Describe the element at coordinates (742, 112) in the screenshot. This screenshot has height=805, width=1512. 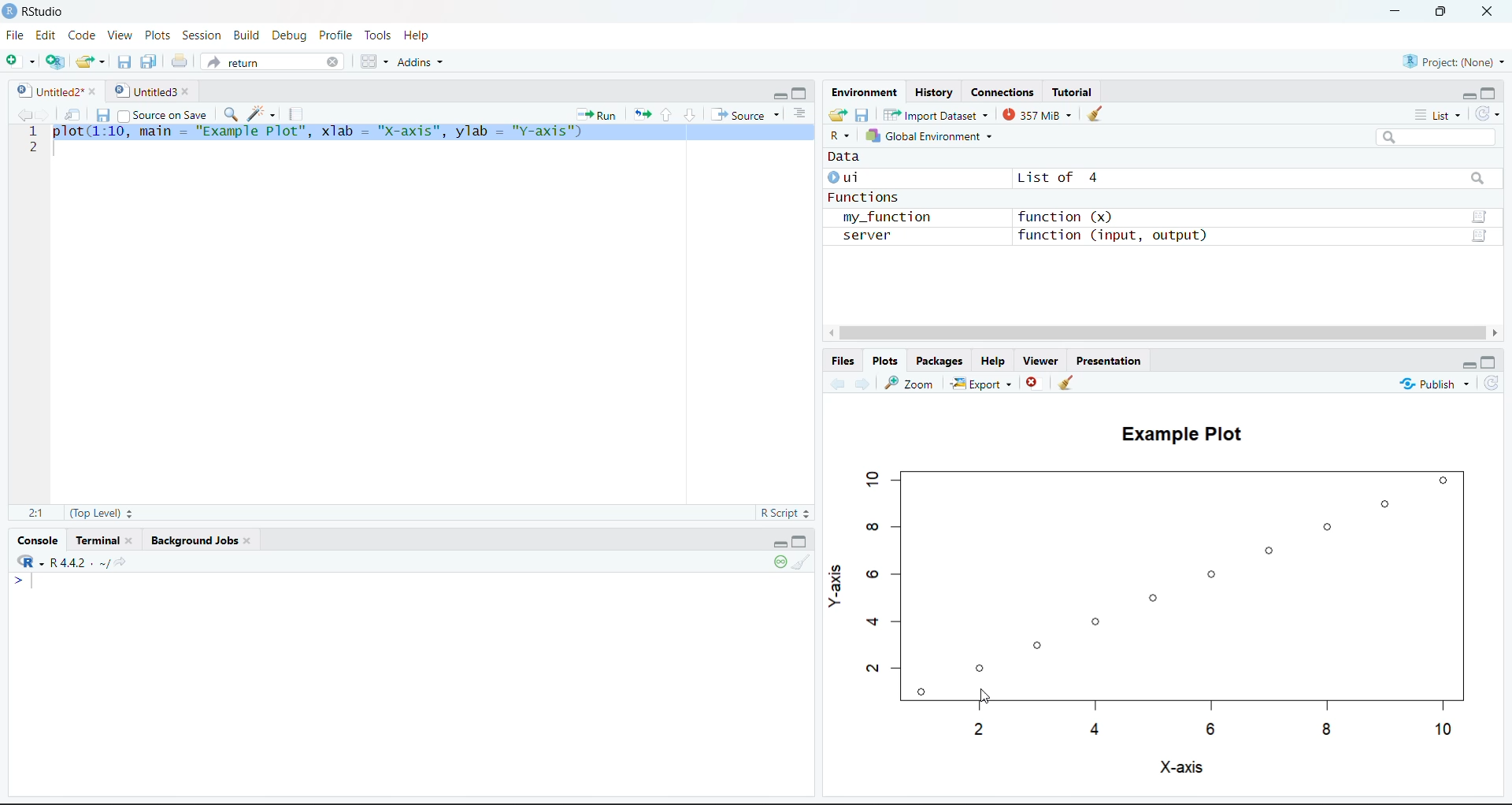
I see `Source the contents of the active document` at that location.